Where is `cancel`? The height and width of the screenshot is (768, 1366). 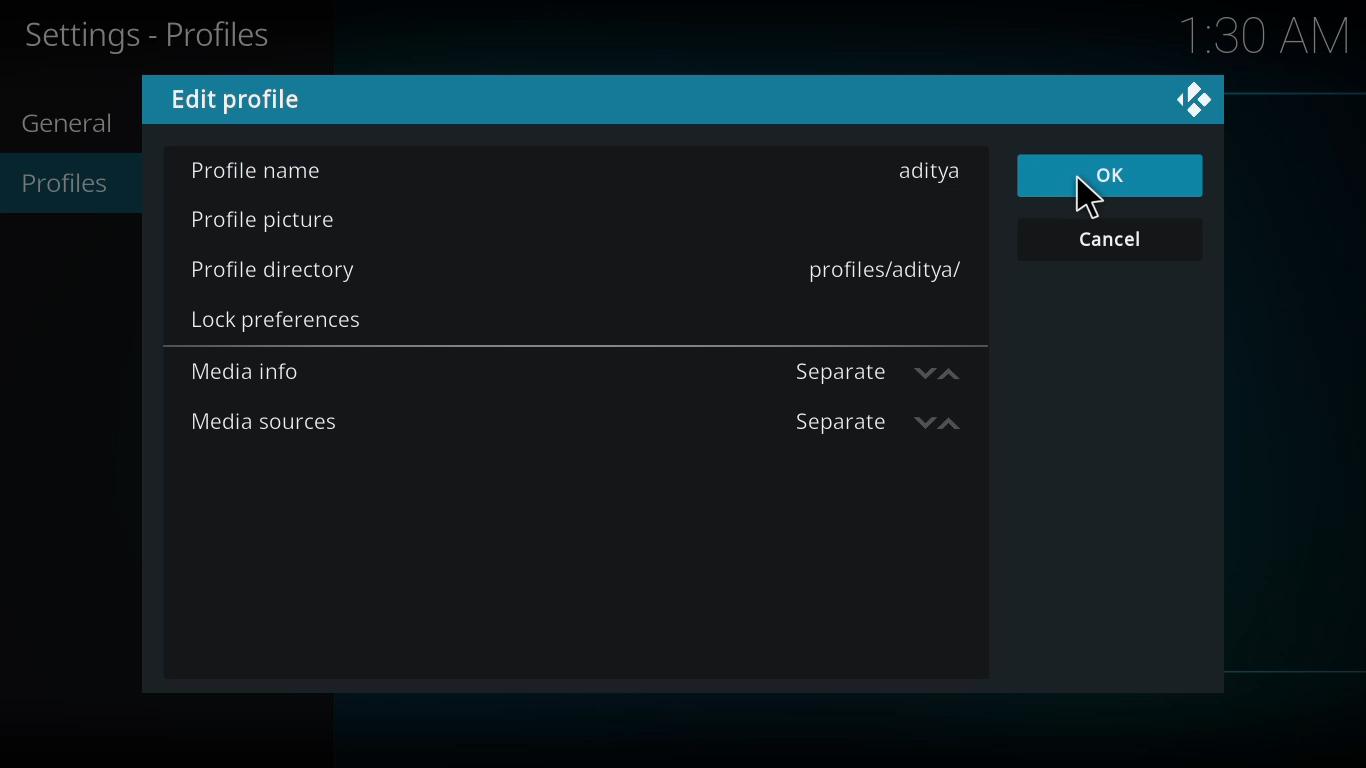
cancel is located at coordinates (1116, 238).